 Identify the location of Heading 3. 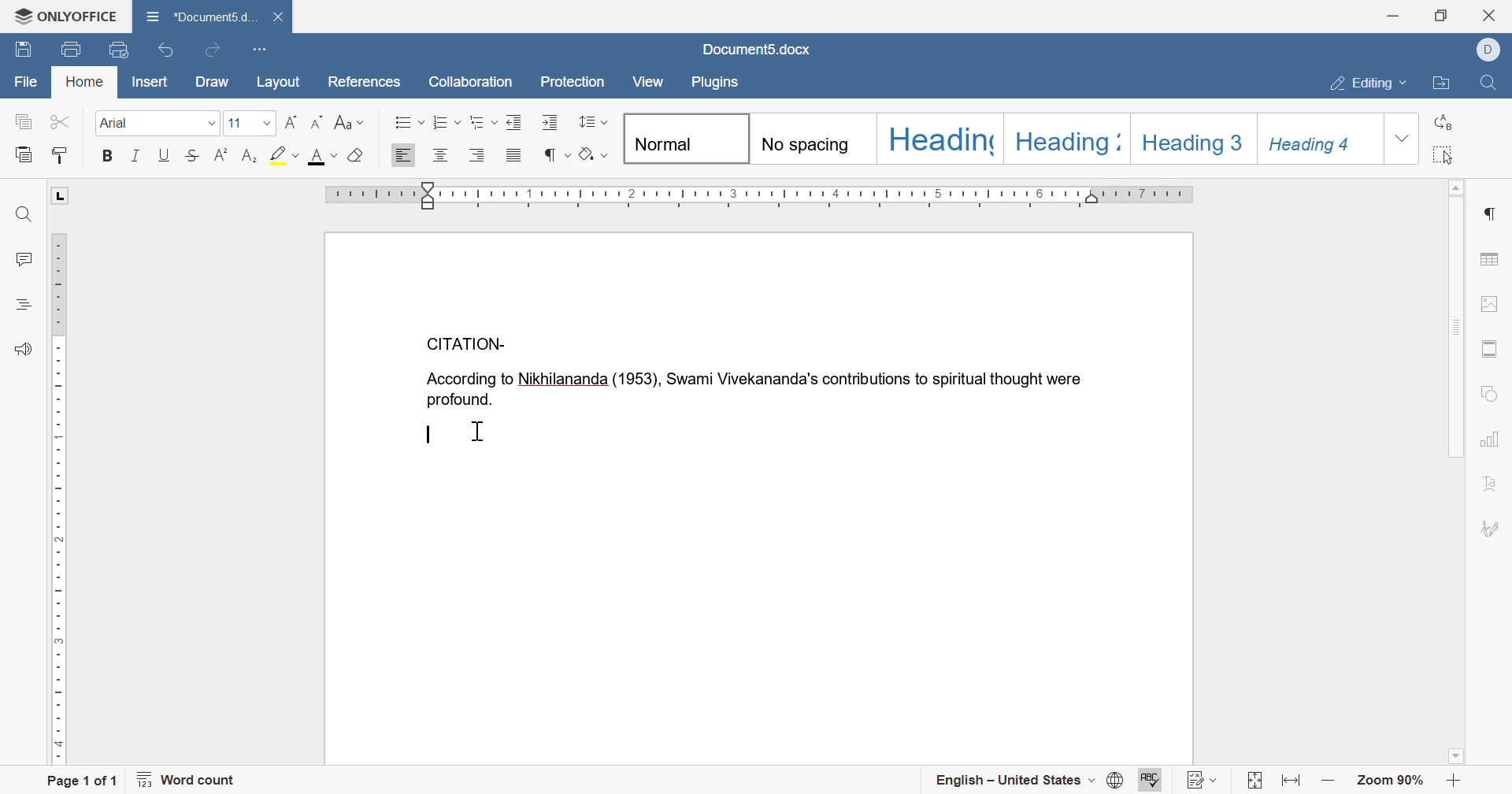
(1192, 139).